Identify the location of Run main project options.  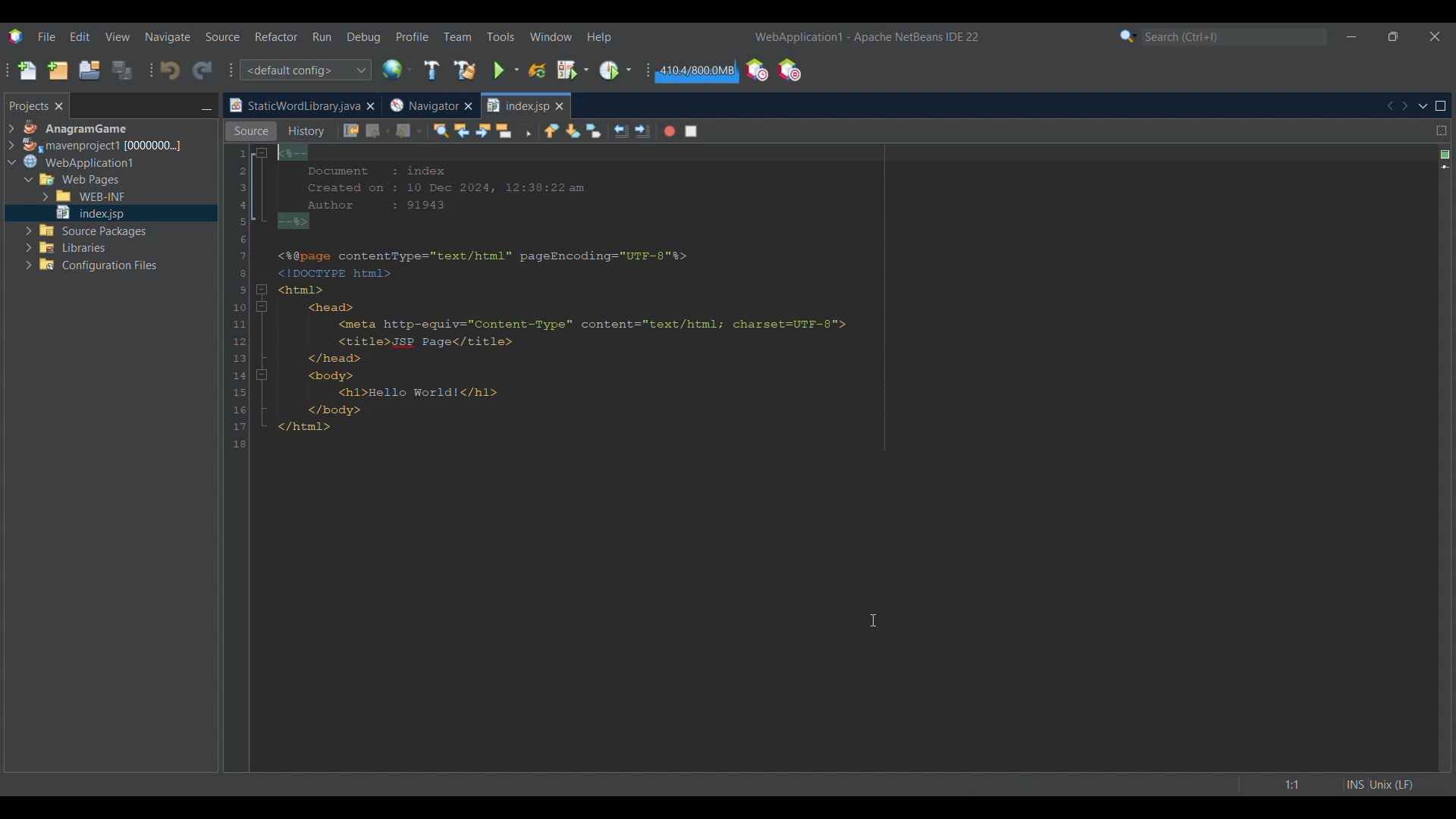
(507, 70).